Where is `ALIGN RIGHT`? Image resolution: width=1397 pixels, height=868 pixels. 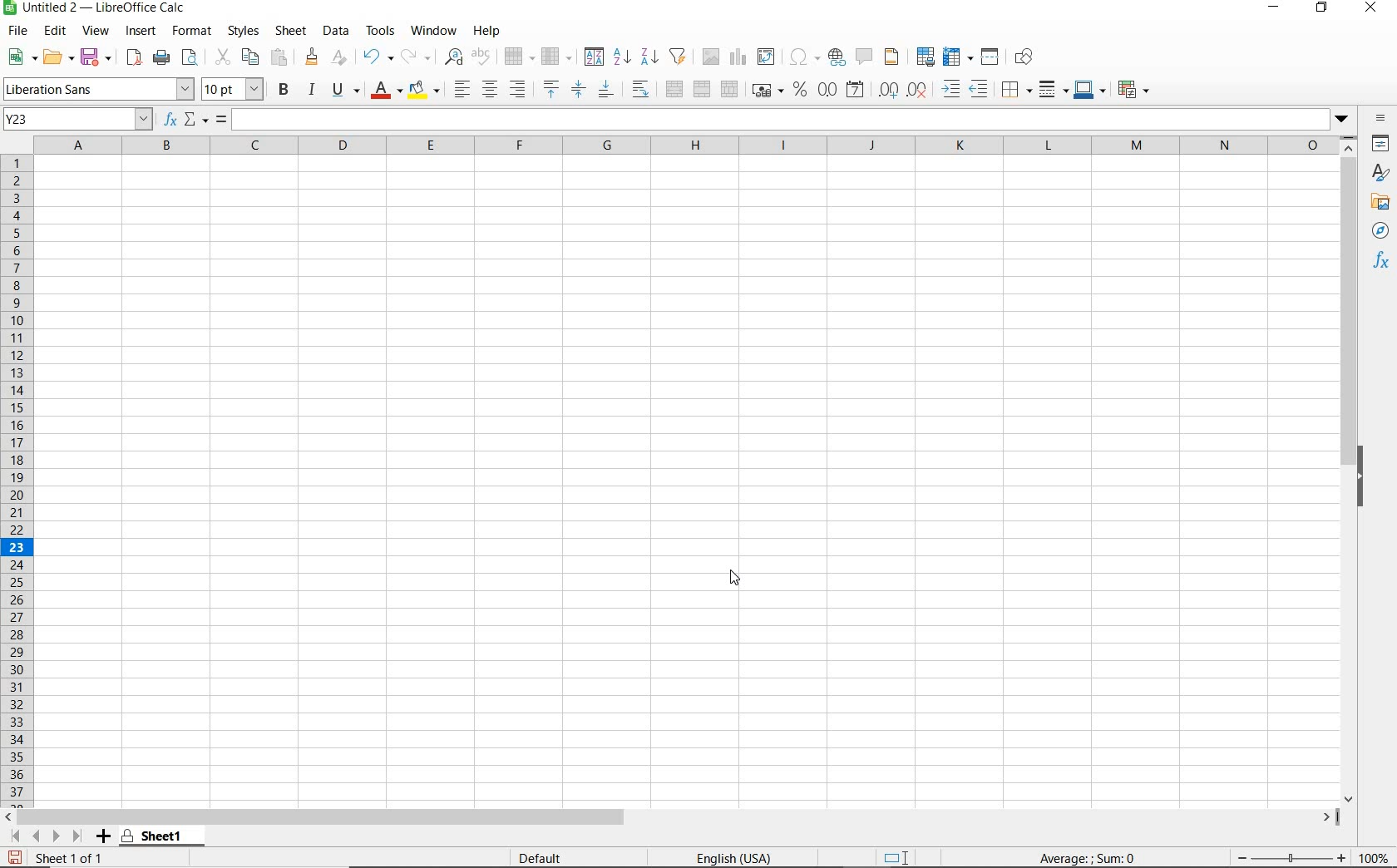 ALIGN RIGHT is located at coordinates (517, 90).